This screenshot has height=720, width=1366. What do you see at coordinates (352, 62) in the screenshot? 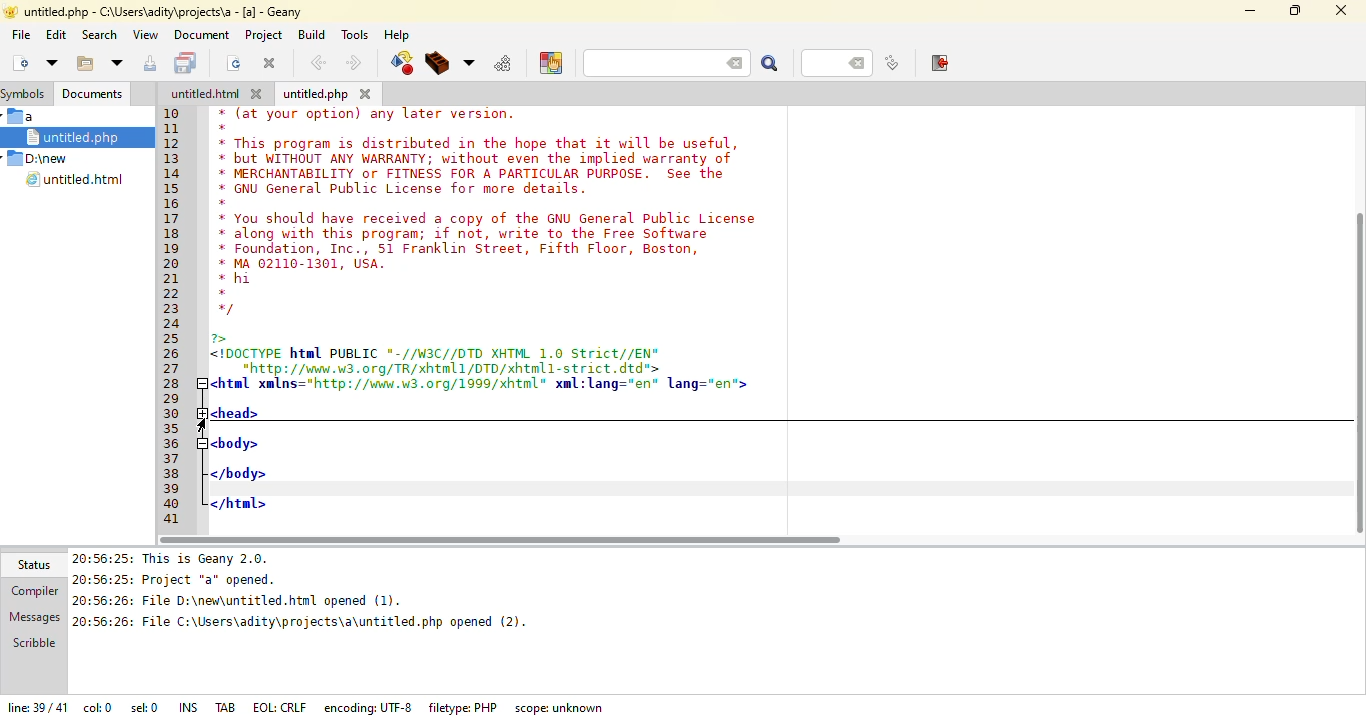
I see `next` at bounding box center [352, 62].